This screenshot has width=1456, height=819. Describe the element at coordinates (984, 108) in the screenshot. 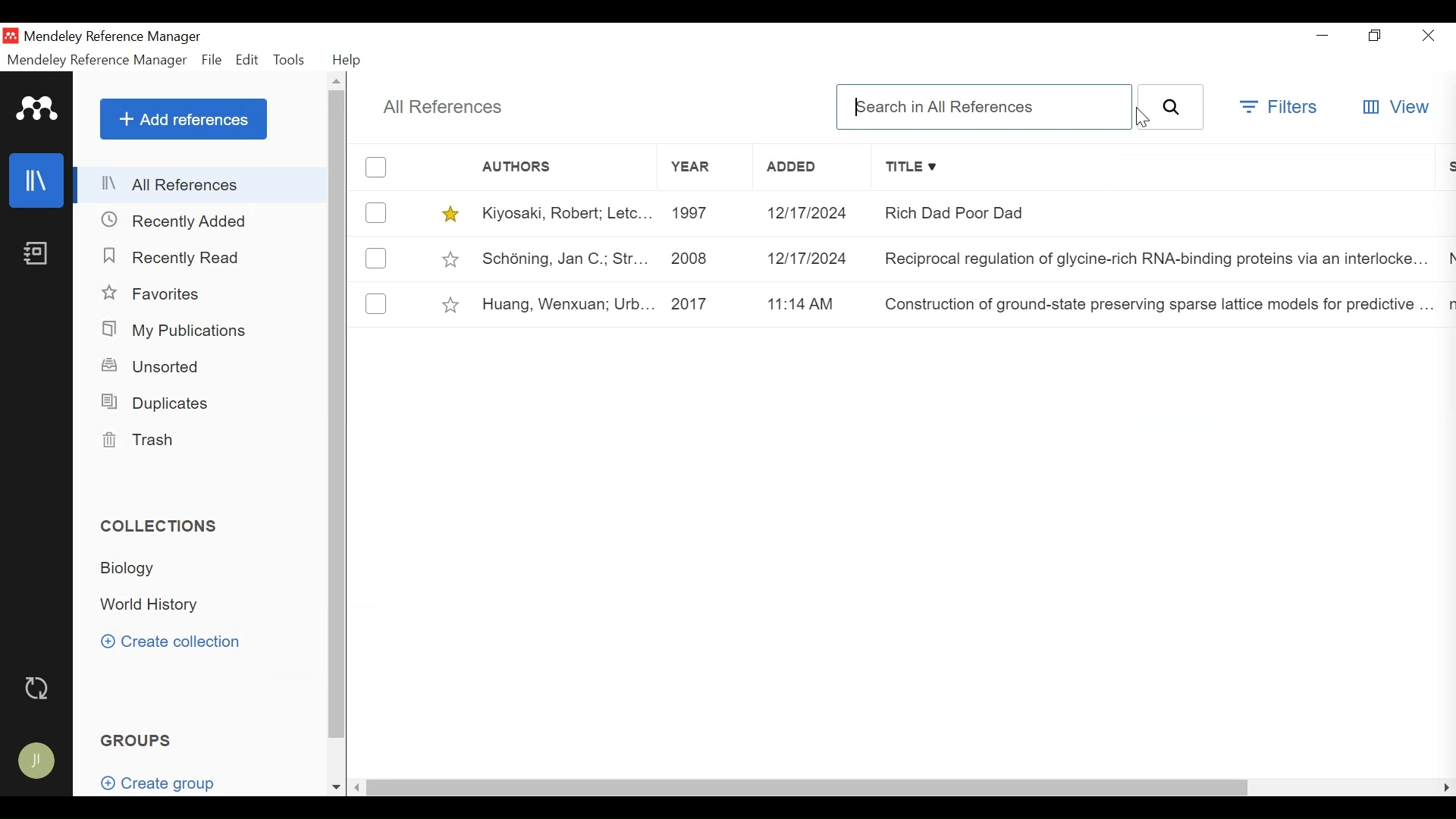

I see `Search bar` at that location.